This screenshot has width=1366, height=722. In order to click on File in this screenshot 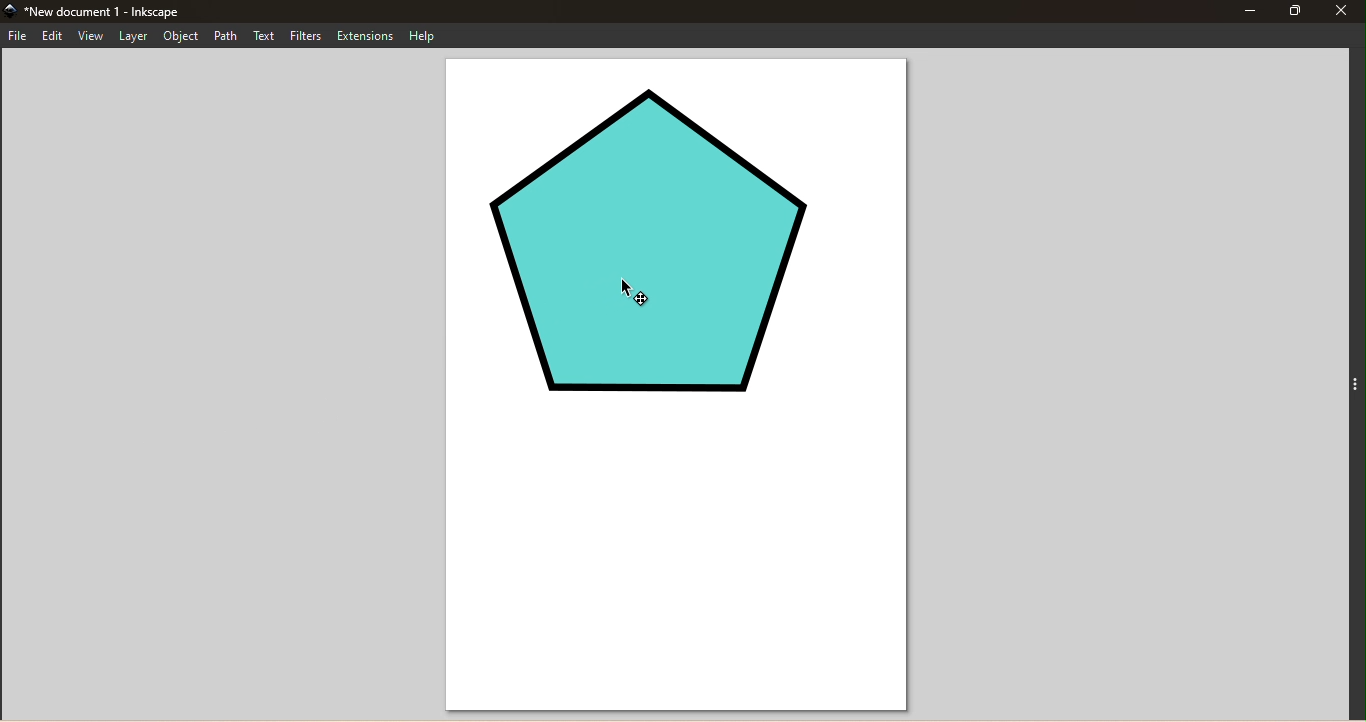, I will do `click(18, 37)`.